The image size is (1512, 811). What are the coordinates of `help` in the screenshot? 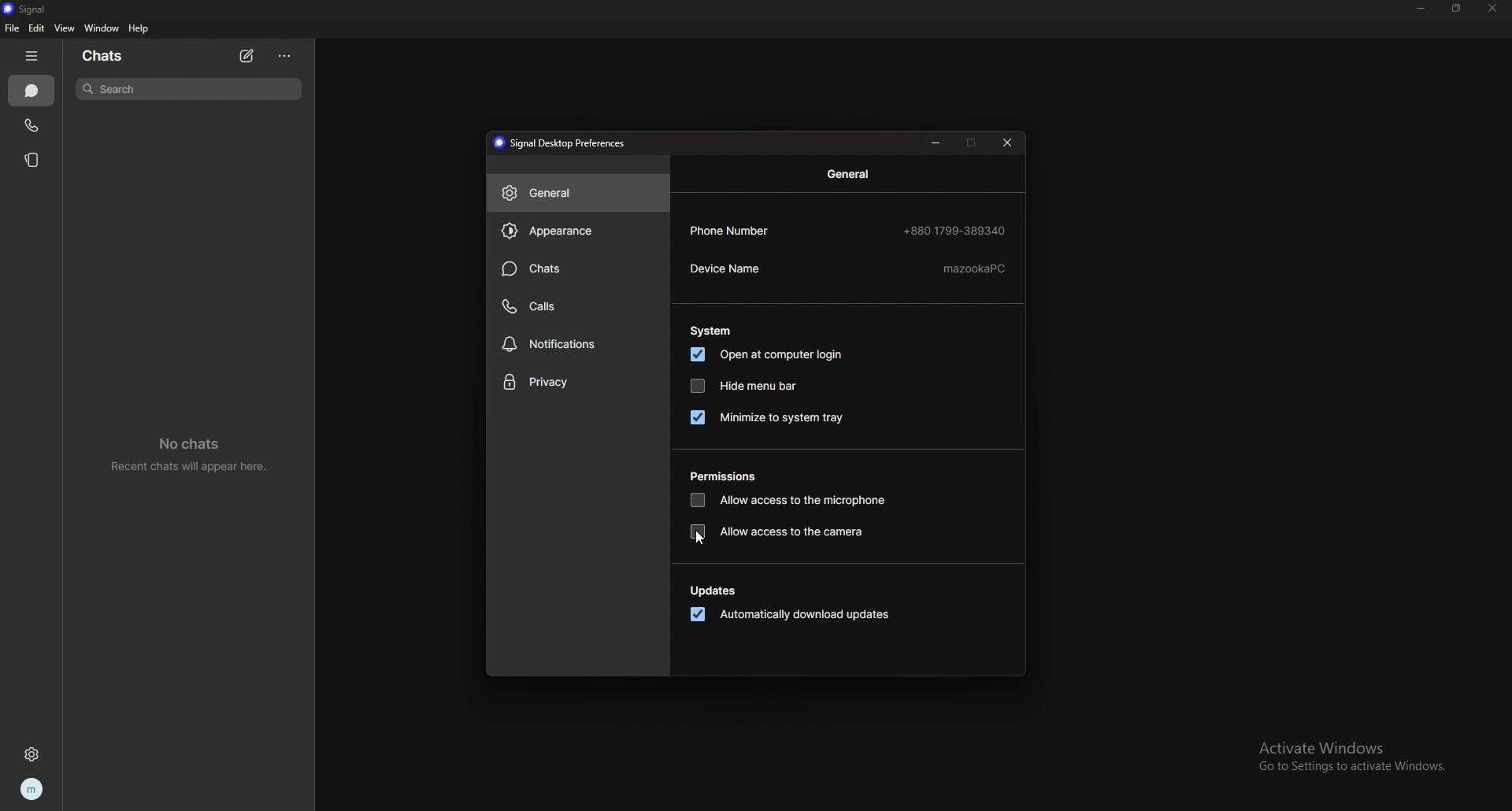 It's located at (140, 29).